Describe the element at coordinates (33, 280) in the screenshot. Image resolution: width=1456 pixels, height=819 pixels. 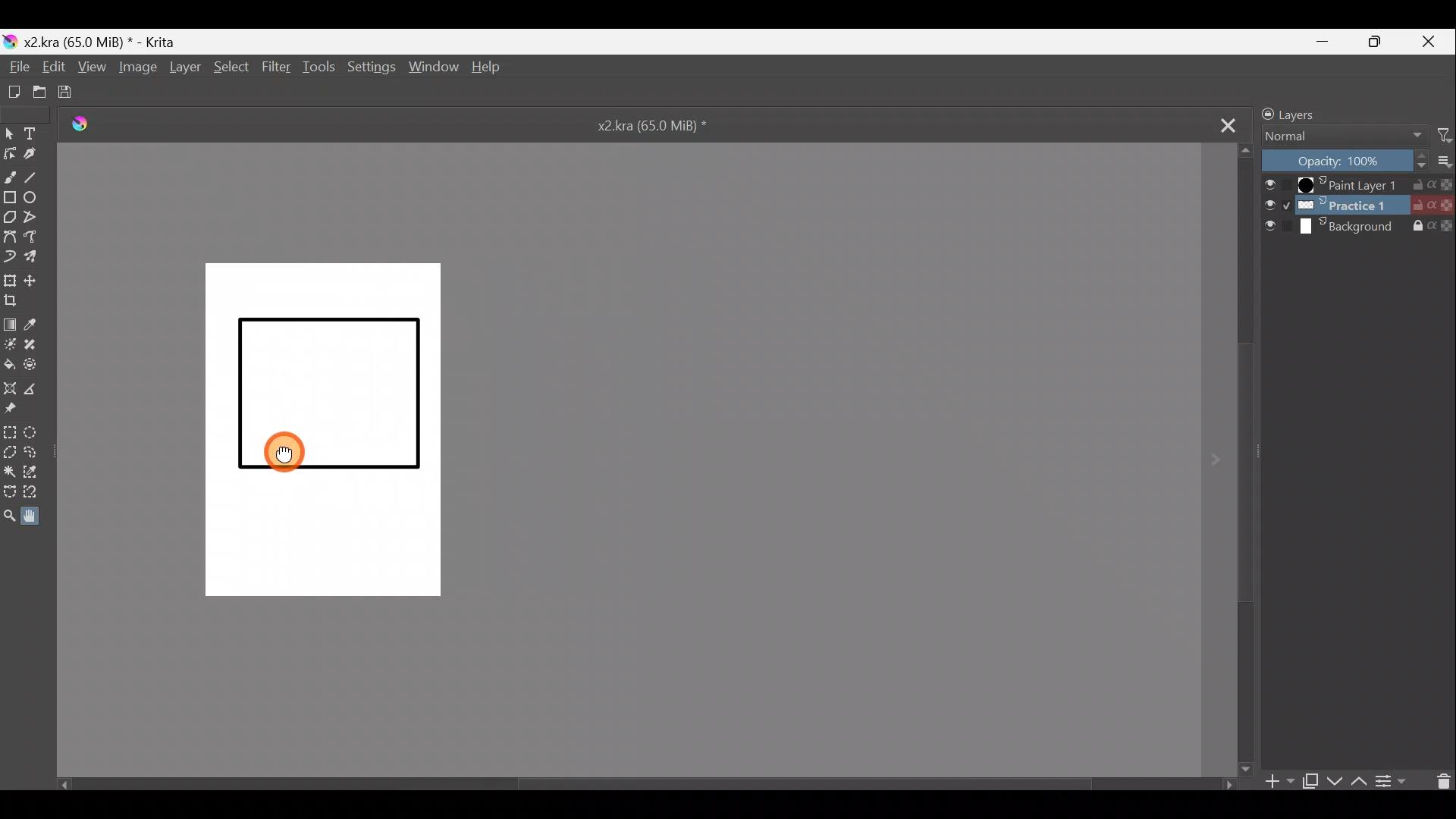
I see `Move a layer` at that location.